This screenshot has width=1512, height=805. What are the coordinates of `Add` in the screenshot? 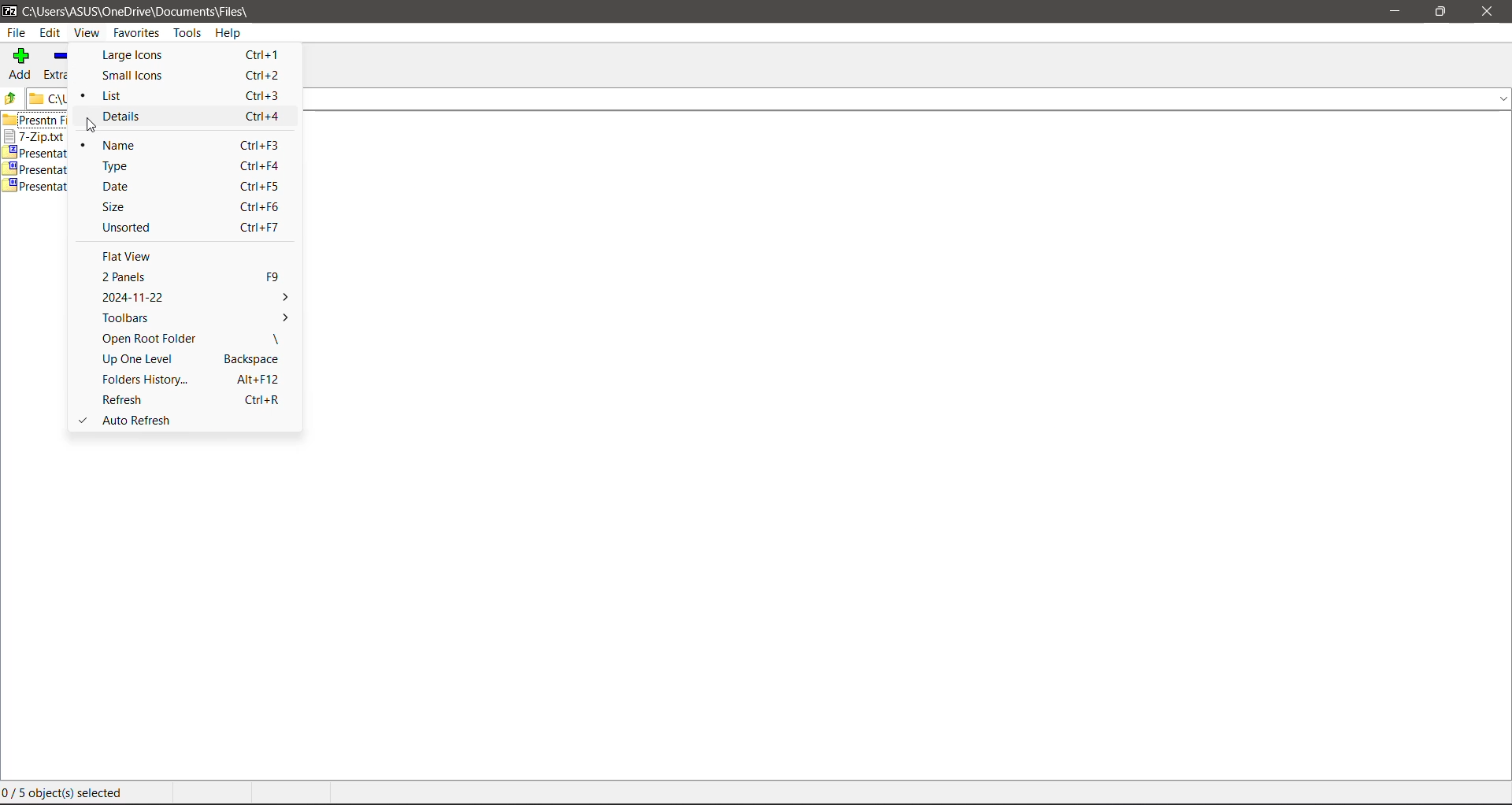 It's located at (19, 65).